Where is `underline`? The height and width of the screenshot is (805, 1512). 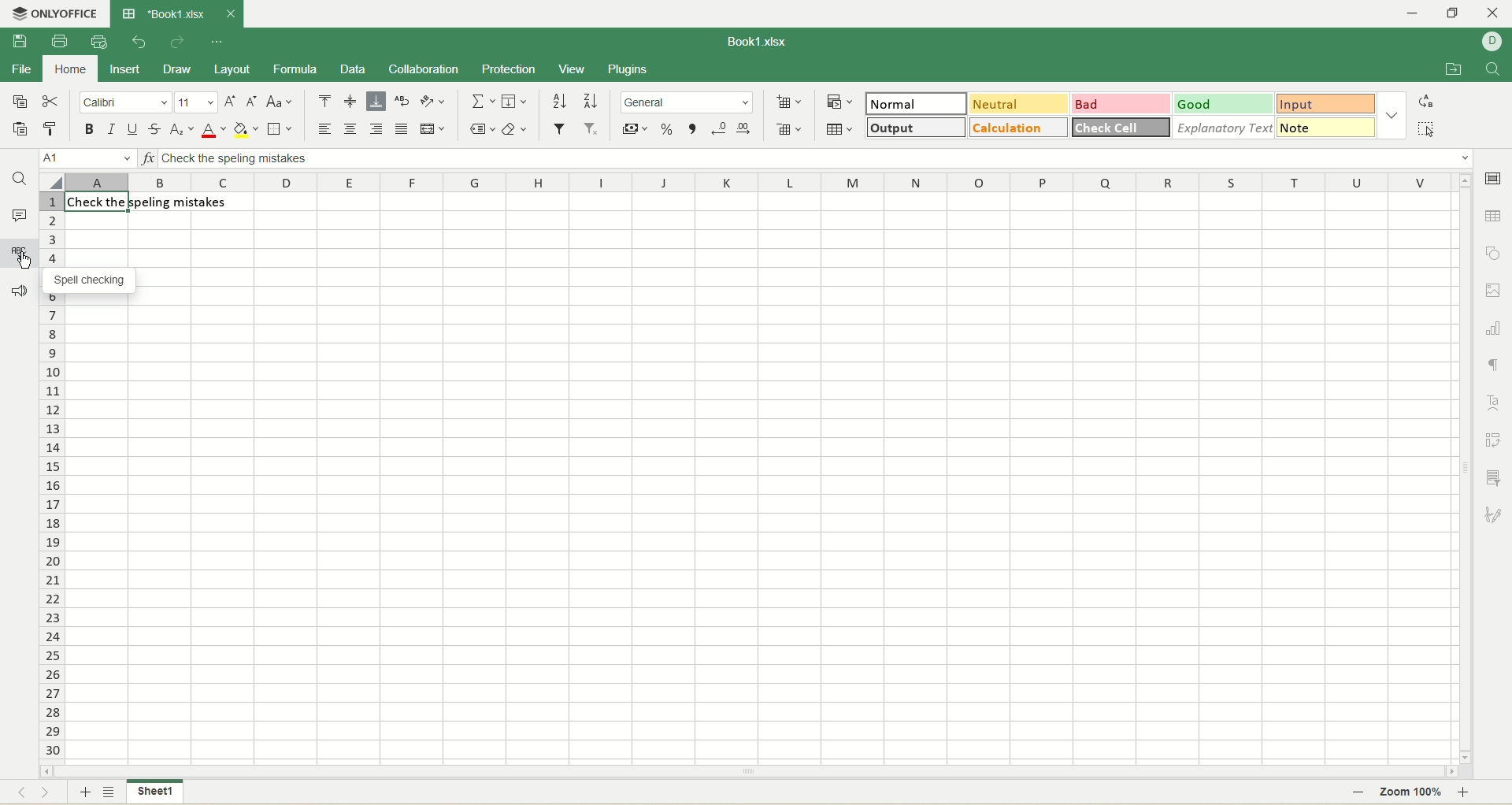 underline is located at coordinates (134, 131).